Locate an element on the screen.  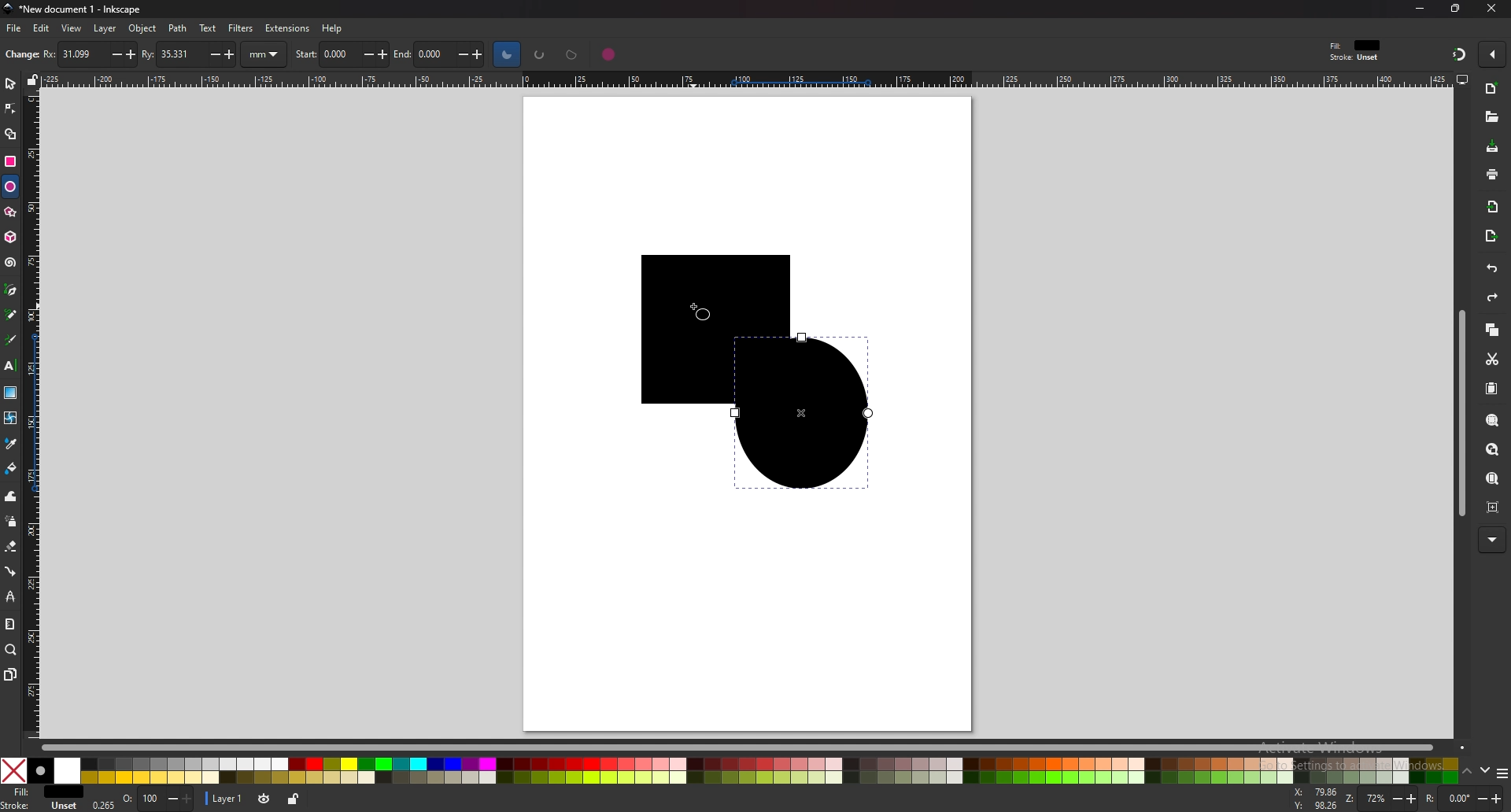
zoom selection is located at coordinates (1494, 419).